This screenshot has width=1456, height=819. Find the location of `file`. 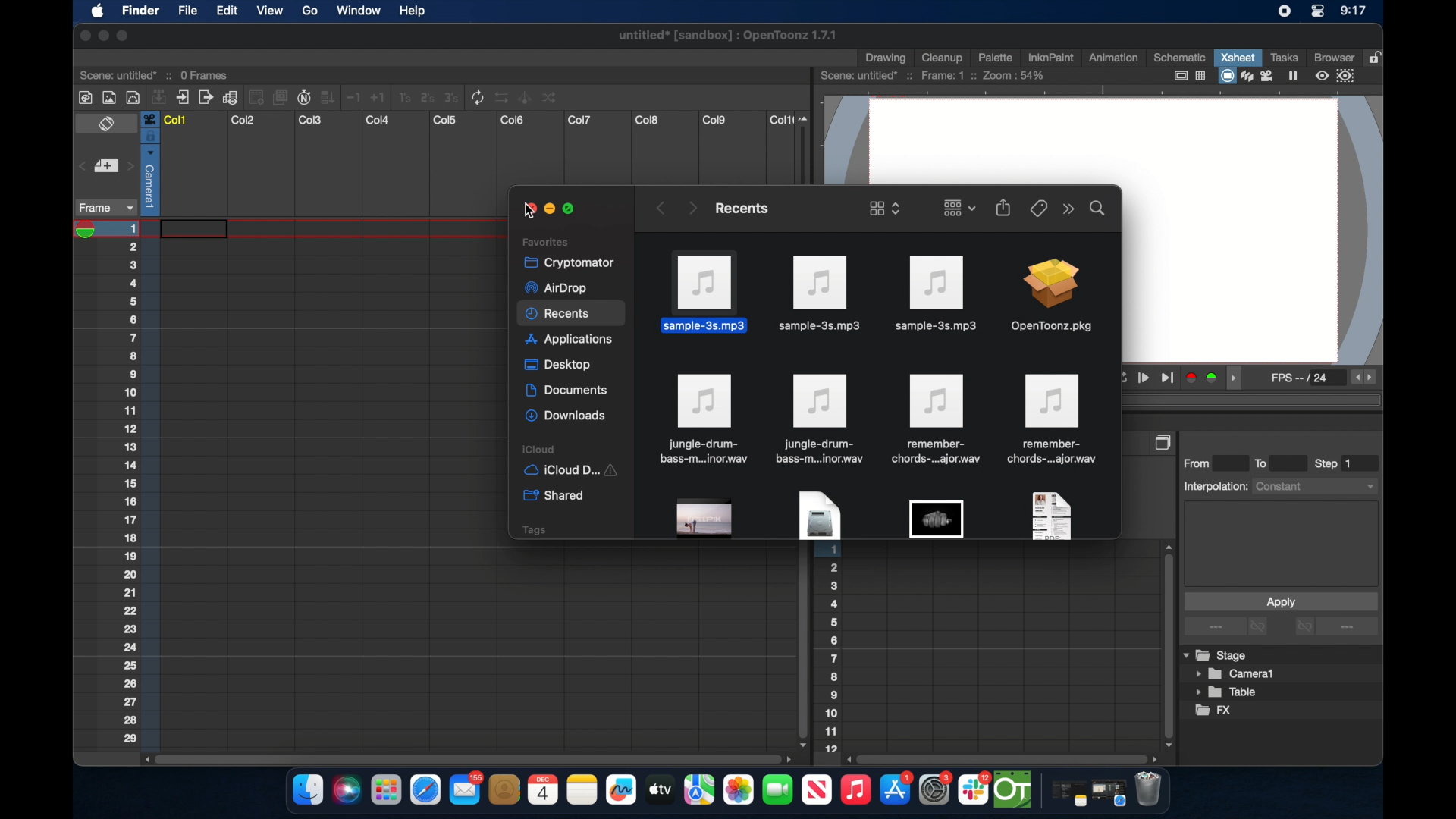

file is located at coordinates (934, 419).